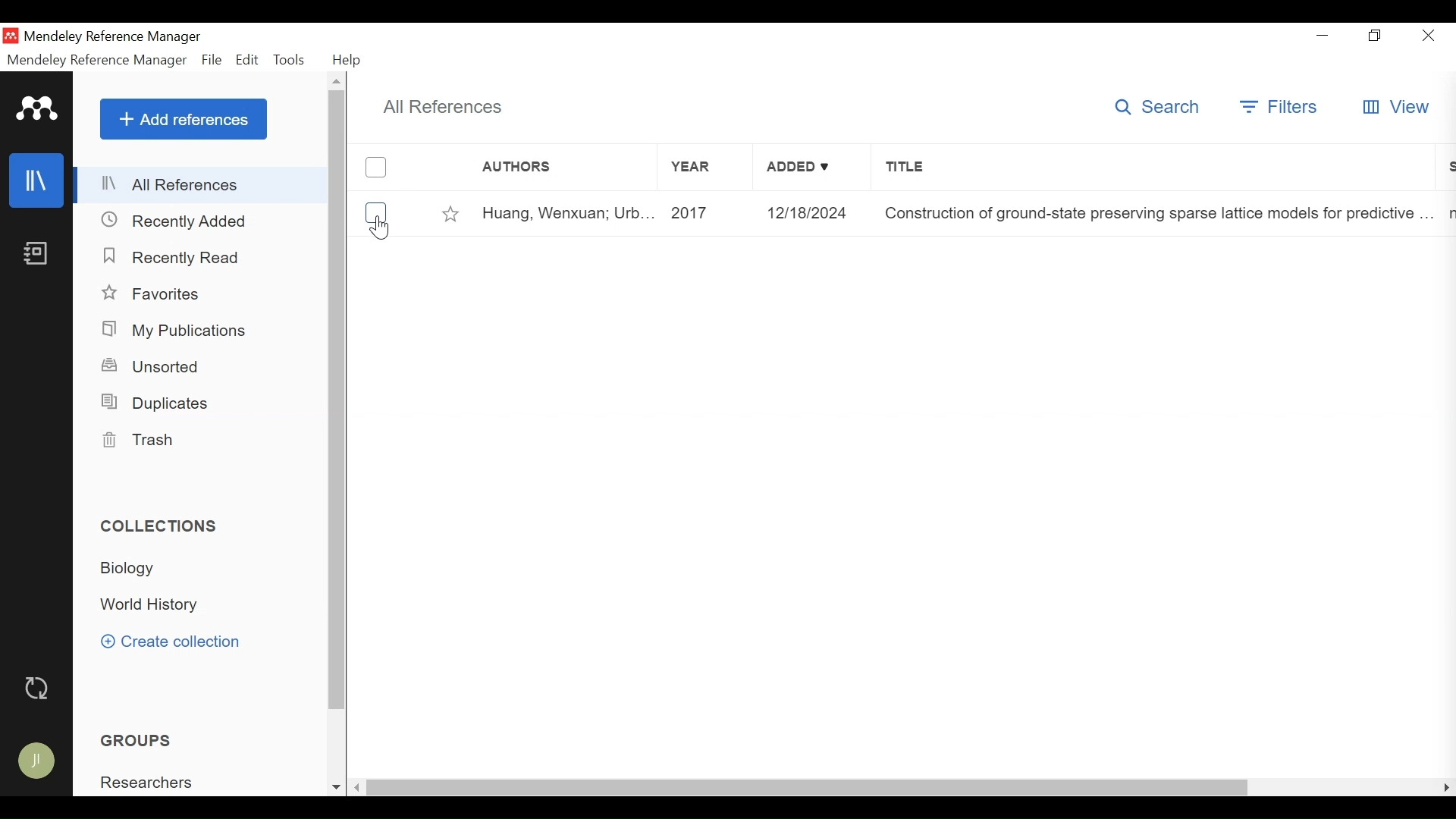  Describe the element at coordinates (448, 108) in the screenshot. I see `All References` at that location.